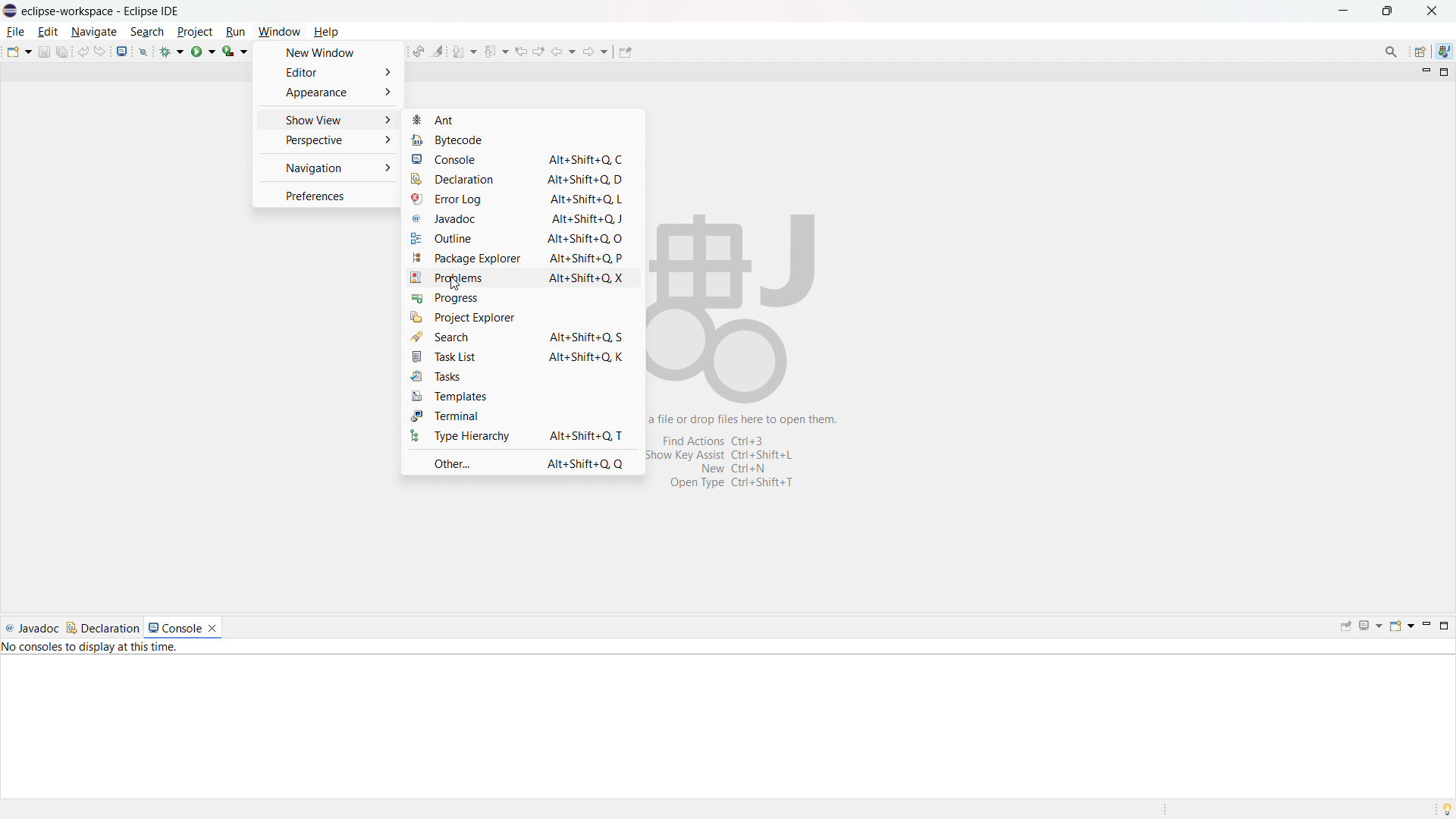 This screenshot has height=819, width=1456. Describe the element at coordinates (523, 277) in the screenshot. I see `problems` at that location.